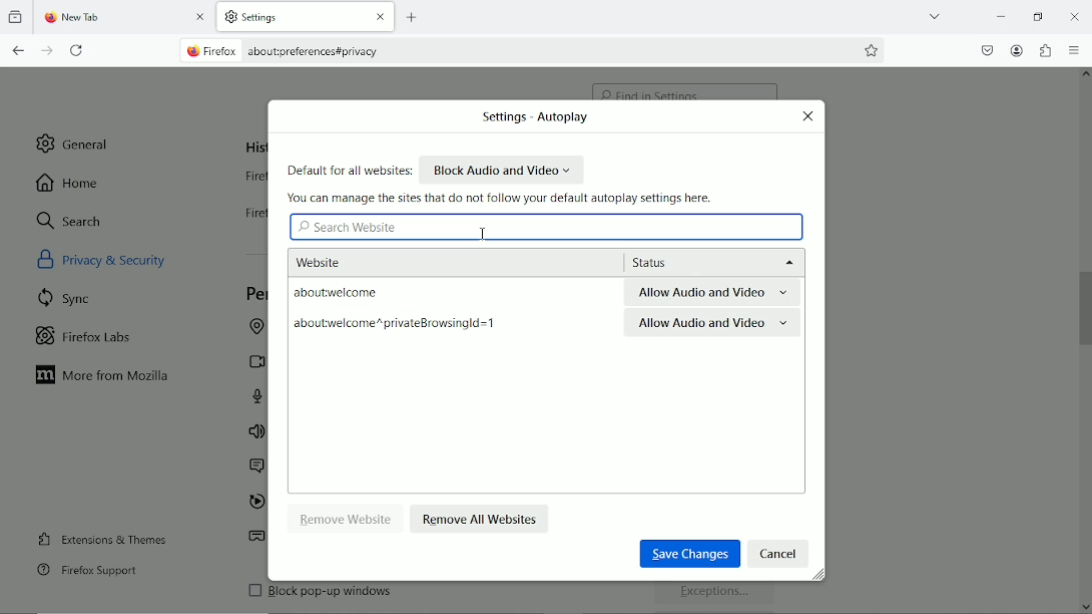 Image resolution: width=1092 pixels, height=614 pixels. What do you see at coordinates (710, 262) in the screenshot?
I see `status` at bounding box center [710, 262].